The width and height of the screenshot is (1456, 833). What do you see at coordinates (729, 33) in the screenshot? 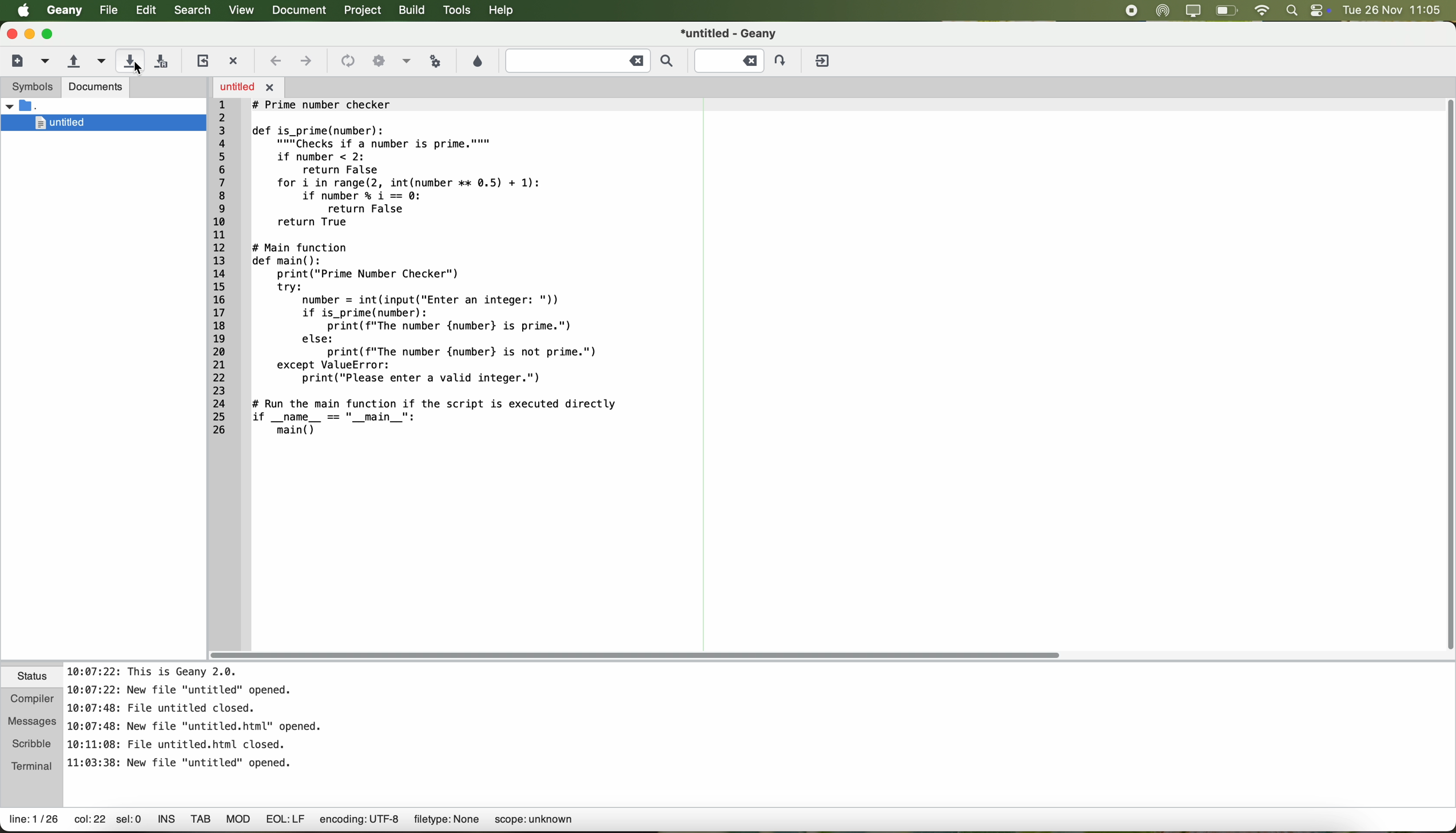
I see `file name` at bounding box center [729, 33].